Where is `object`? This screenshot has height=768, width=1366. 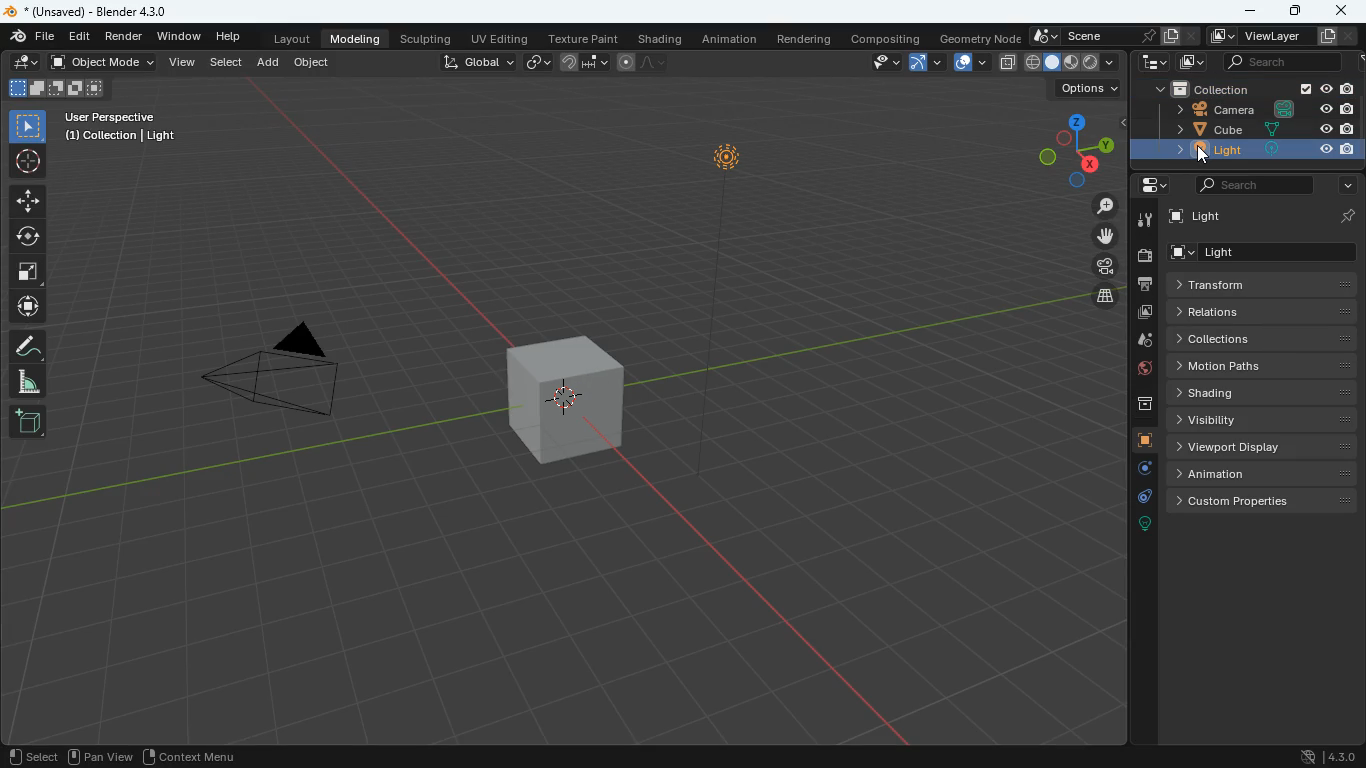
object is located at coordinates (317, 66).